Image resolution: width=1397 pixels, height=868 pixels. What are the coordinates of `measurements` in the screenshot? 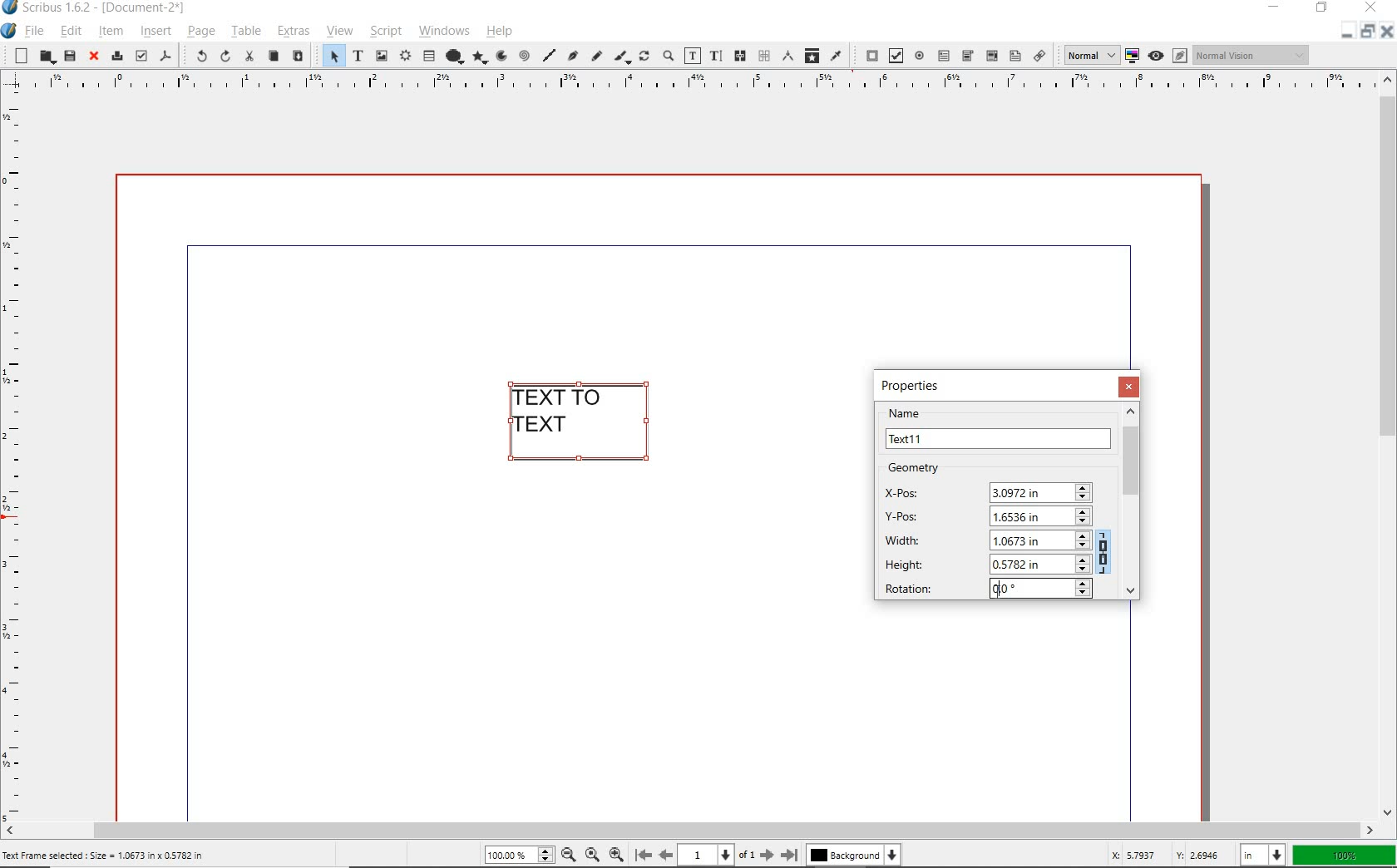 It's located at (788, 57).